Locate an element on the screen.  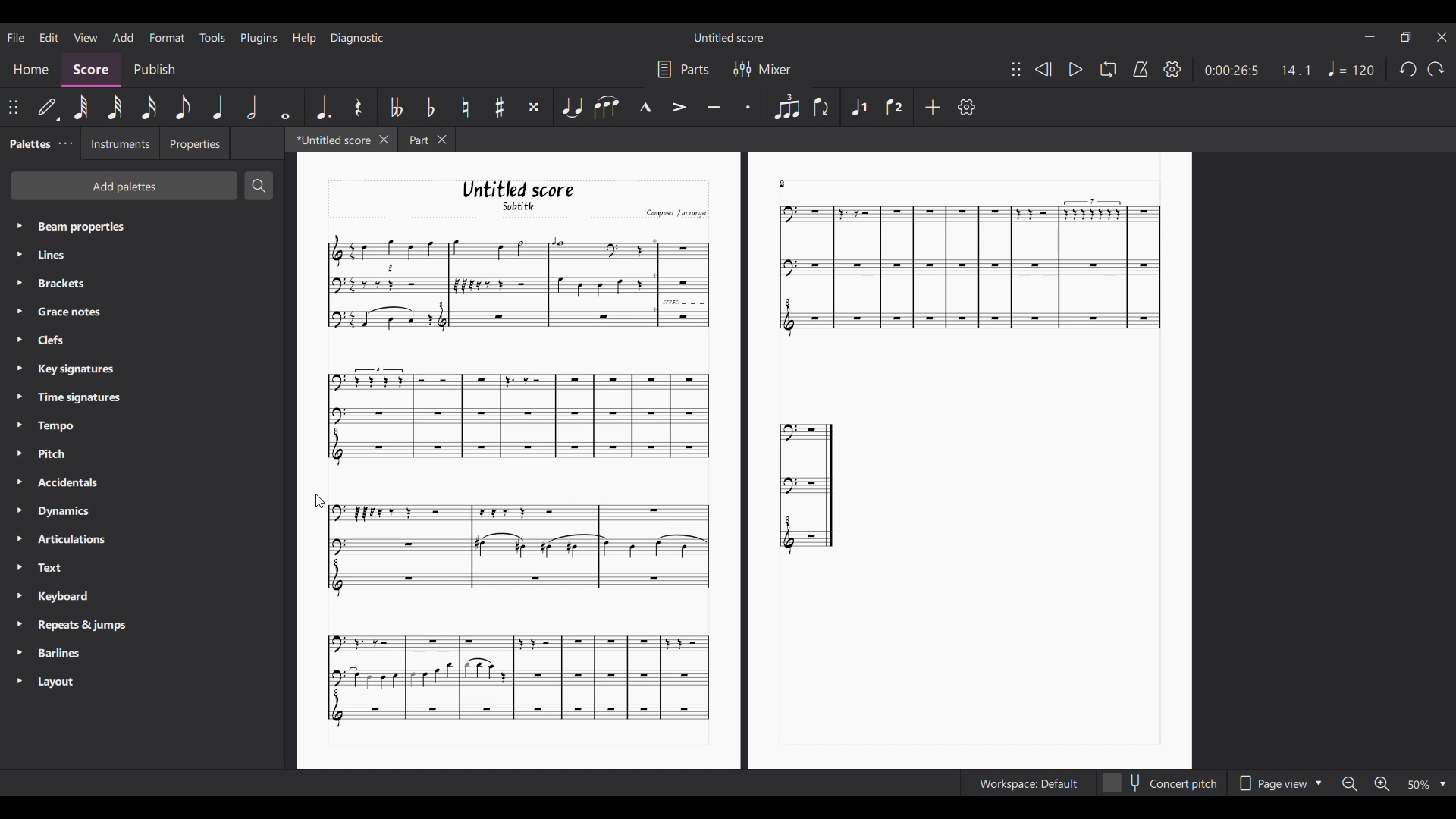
Flip direction is located at coordinates (822, 106).